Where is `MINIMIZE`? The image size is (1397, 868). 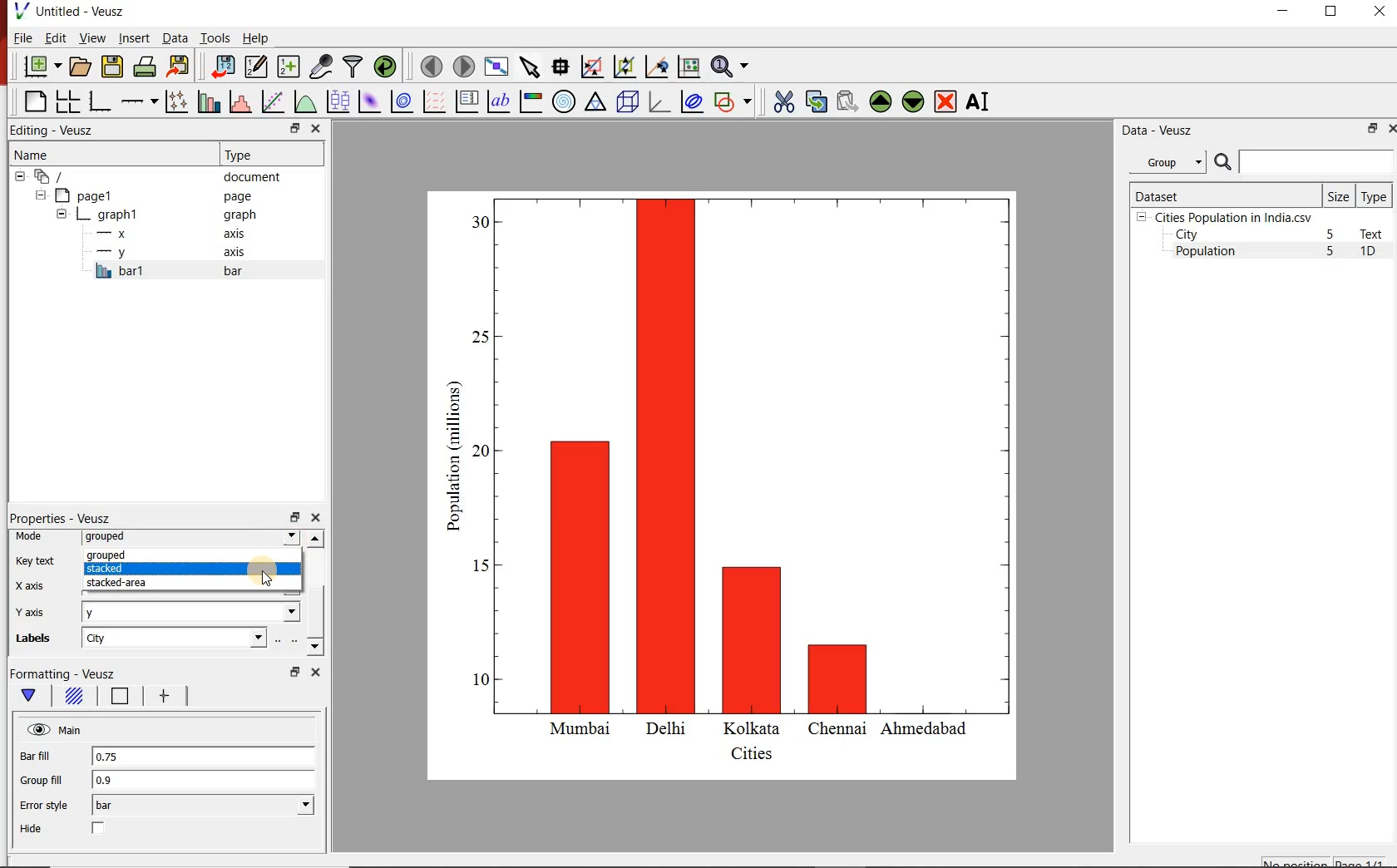 MINIMIZE is located at coordinates (1284, 11).